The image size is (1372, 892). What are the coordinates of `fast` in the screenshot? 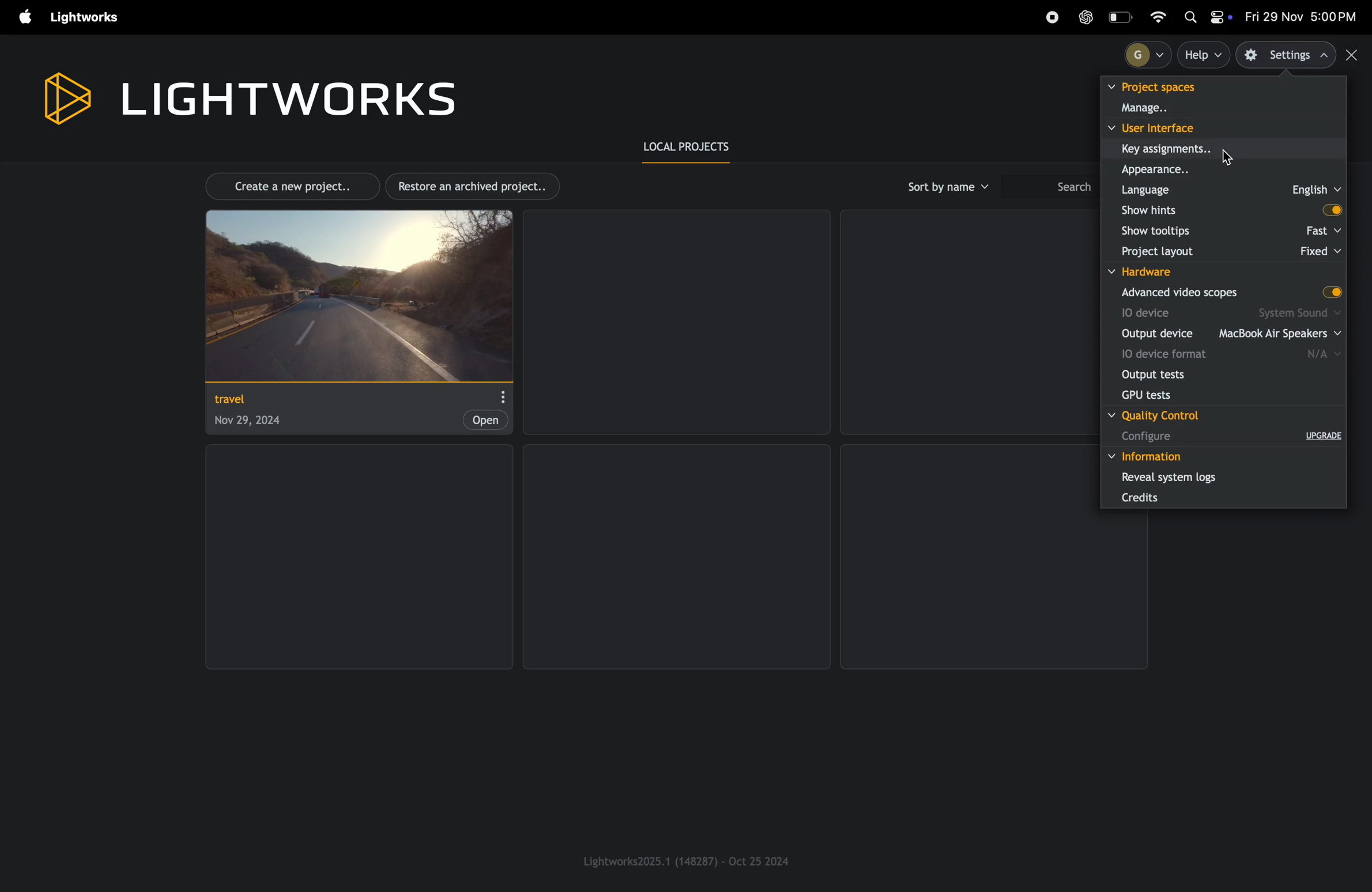 It's located at (1320, 230).